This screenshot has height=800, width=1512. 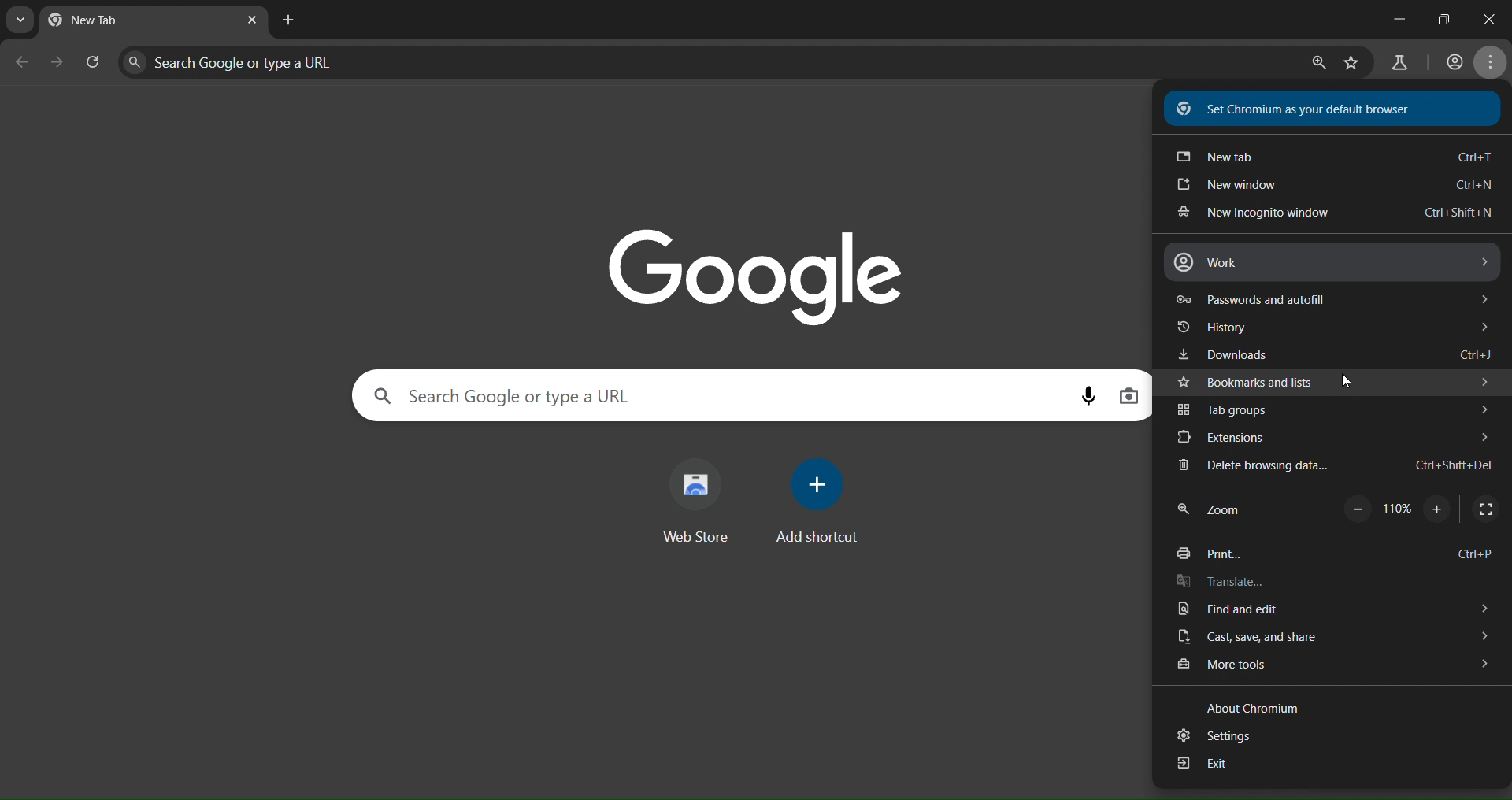 What do you see at coordinates (1343, 467) in the screenshot?
I see `delete browsing data` at bounding box center [1343, 467].